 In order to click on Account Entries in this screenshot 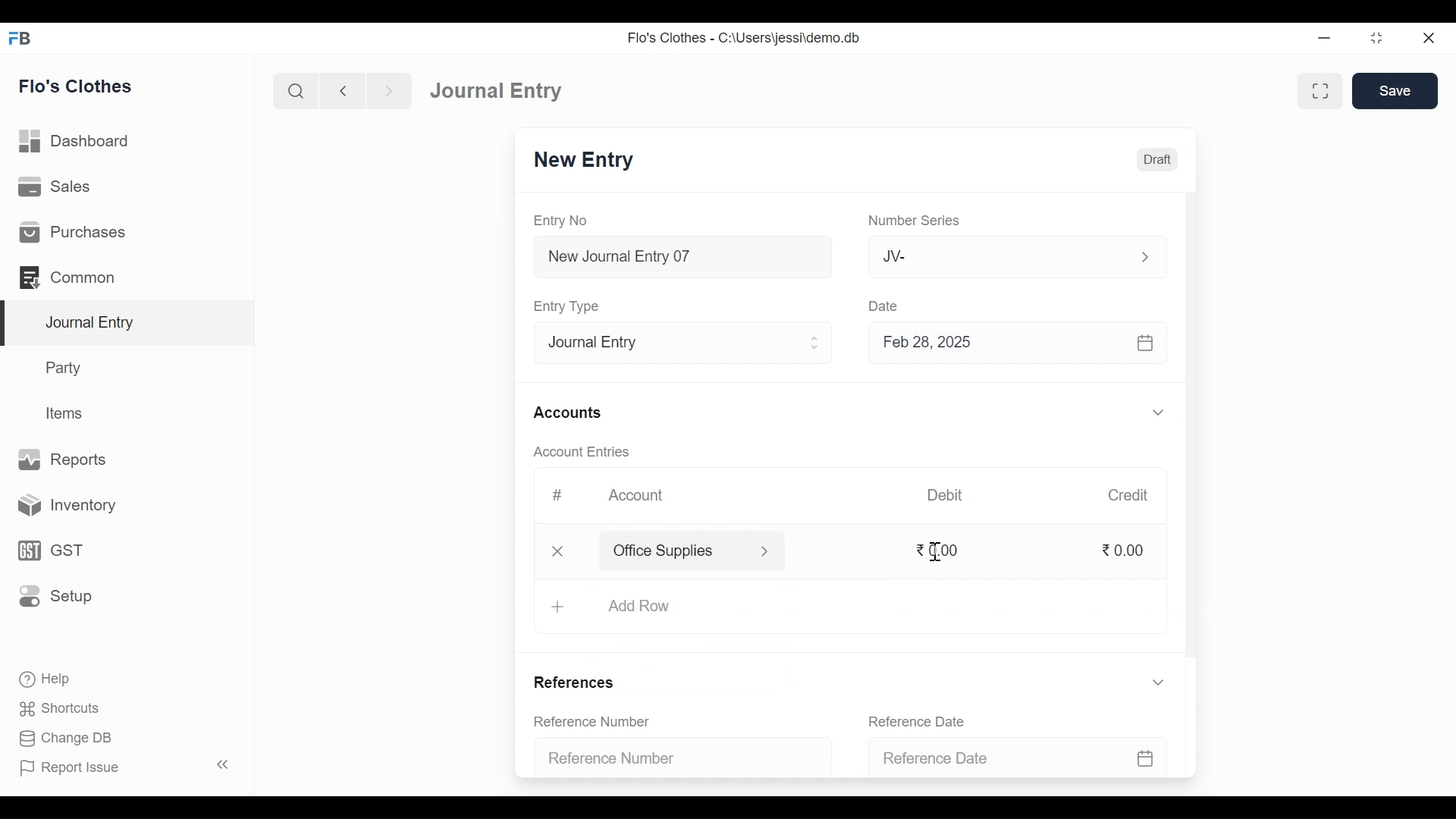, I will do `click(581, 451)`.